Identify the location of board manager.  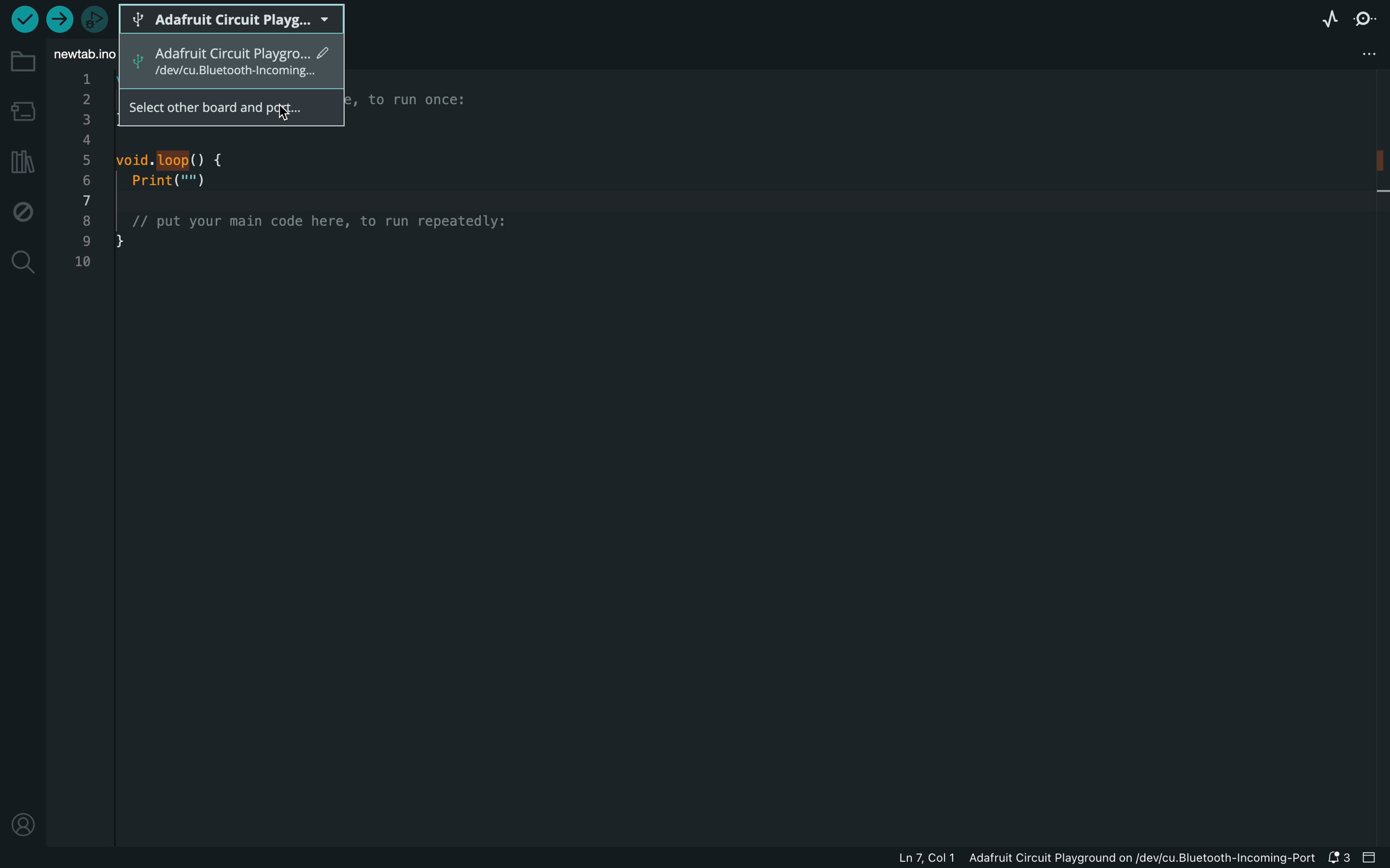
(24, 110).